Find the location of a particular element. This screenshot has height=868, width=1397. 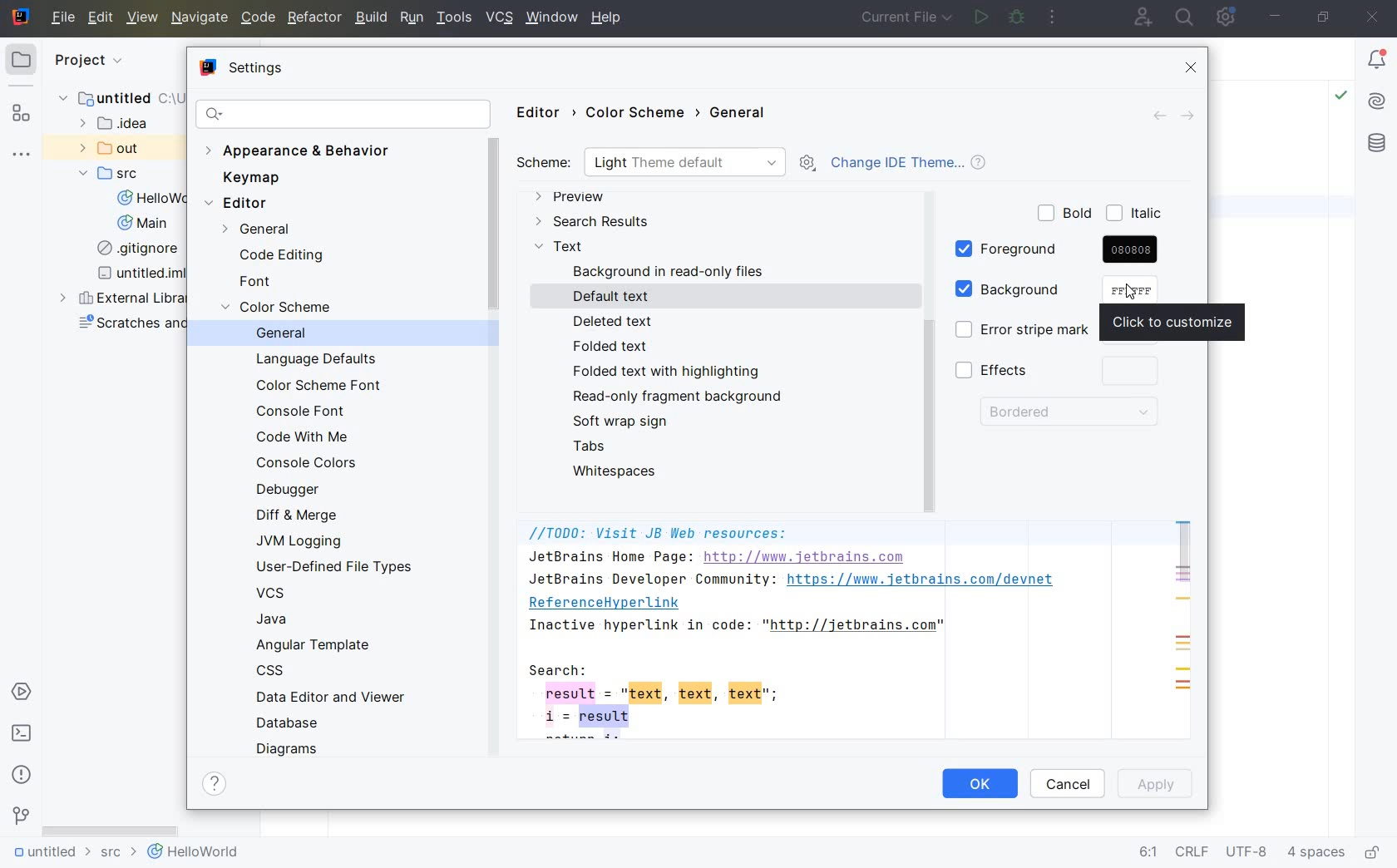

external libraries is located at coordinates (126, 298).